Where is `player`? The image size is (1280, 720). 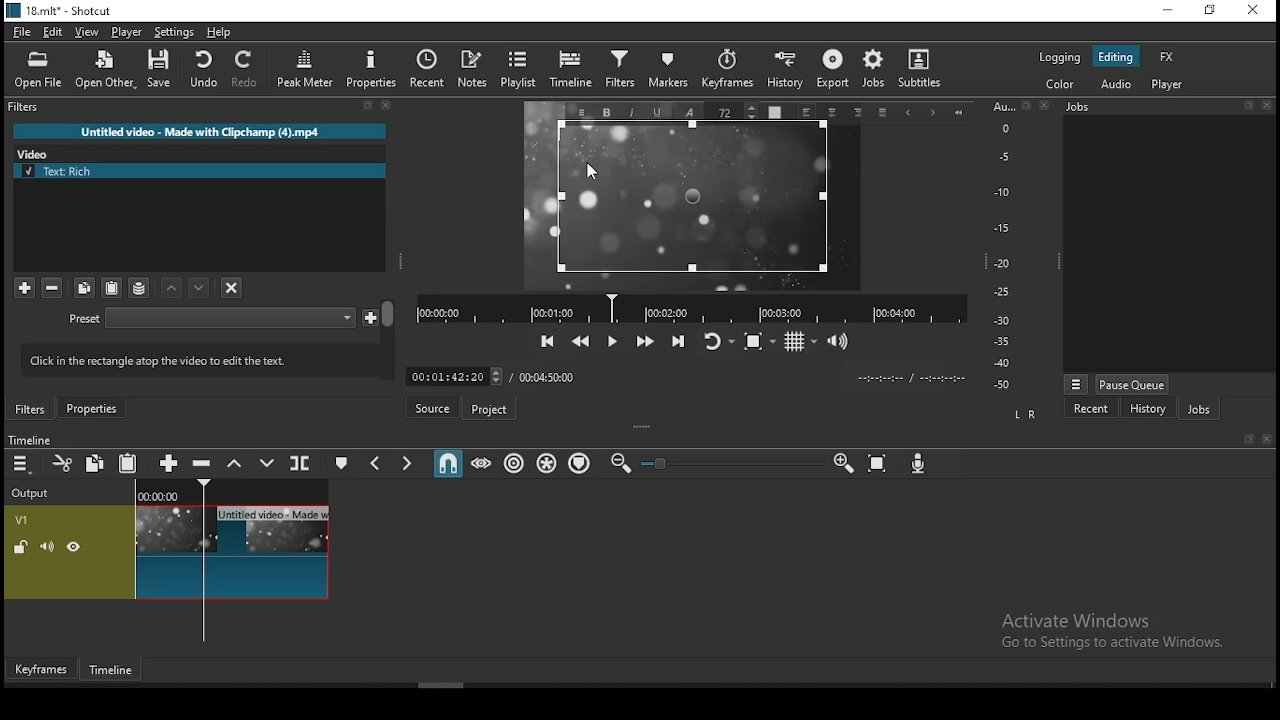
player is located at coordinates (127, 32).